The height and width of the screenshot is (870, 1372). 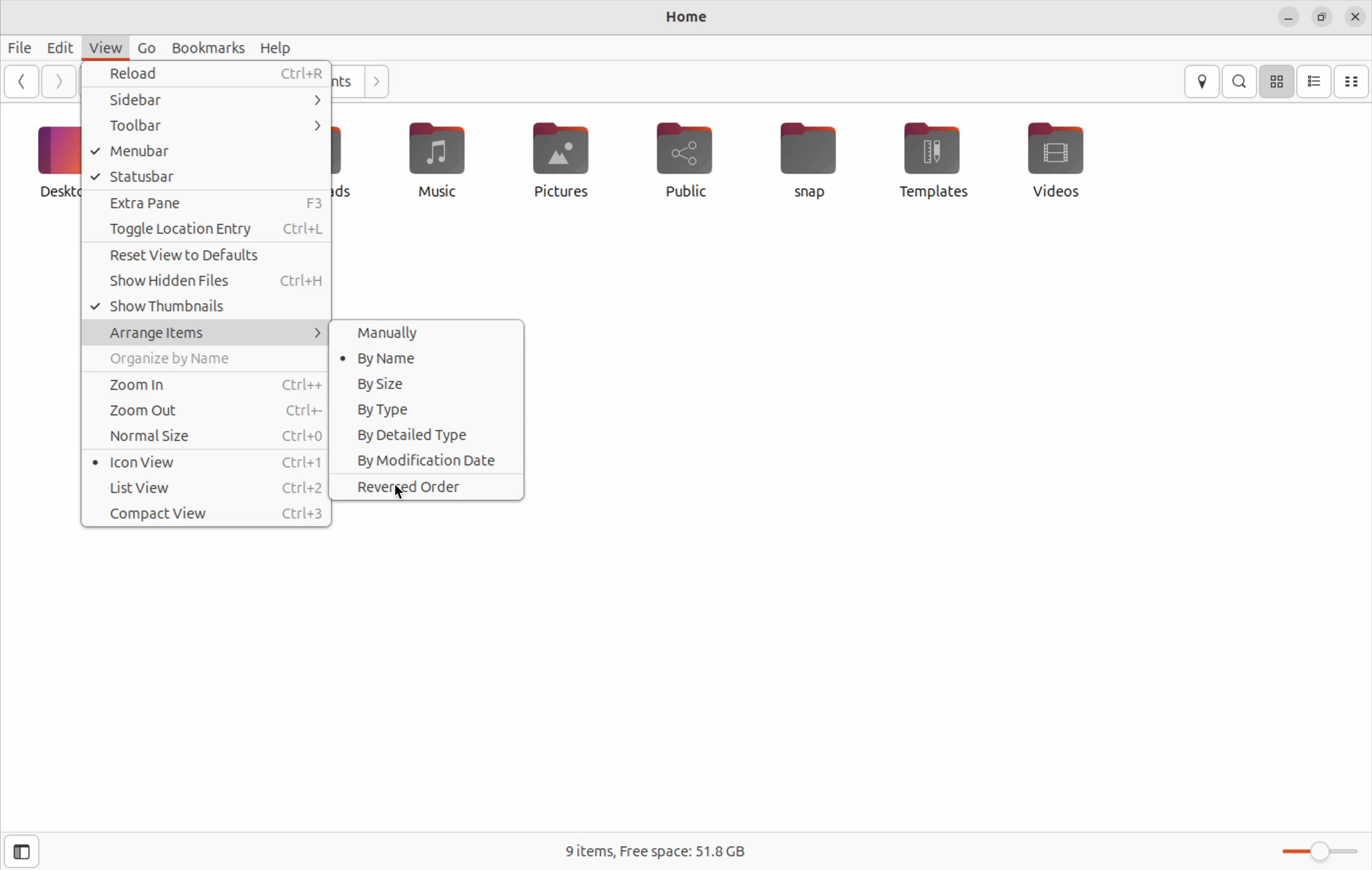 What do you see at coordinates (17, 853) in the screenshot?
I see `open side bar` at bounding box center [17, 853].